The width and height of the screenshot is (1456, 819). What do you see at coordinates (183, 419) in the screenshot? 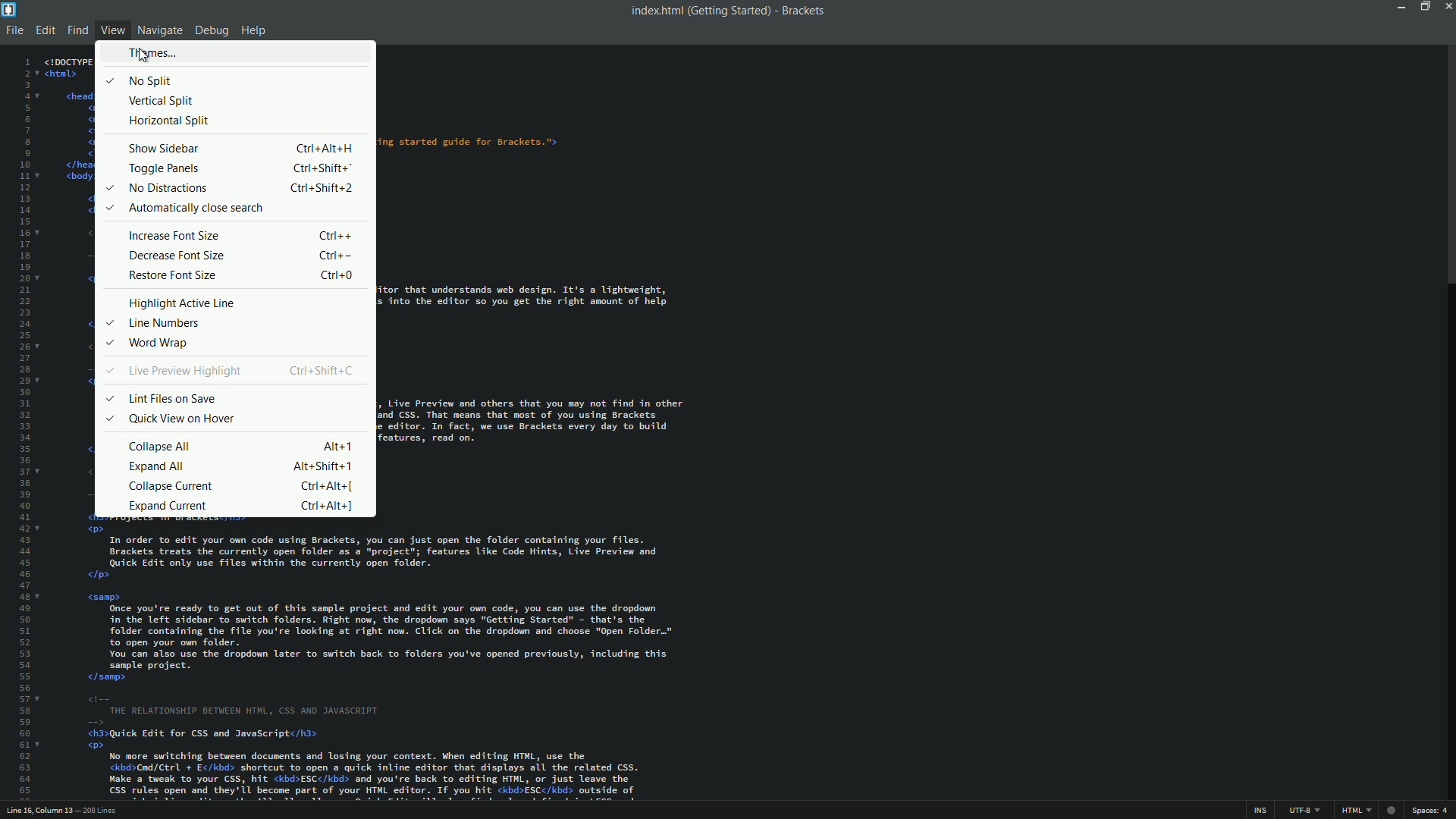
I see `quick view on hover` at bounding box center [183, 419].